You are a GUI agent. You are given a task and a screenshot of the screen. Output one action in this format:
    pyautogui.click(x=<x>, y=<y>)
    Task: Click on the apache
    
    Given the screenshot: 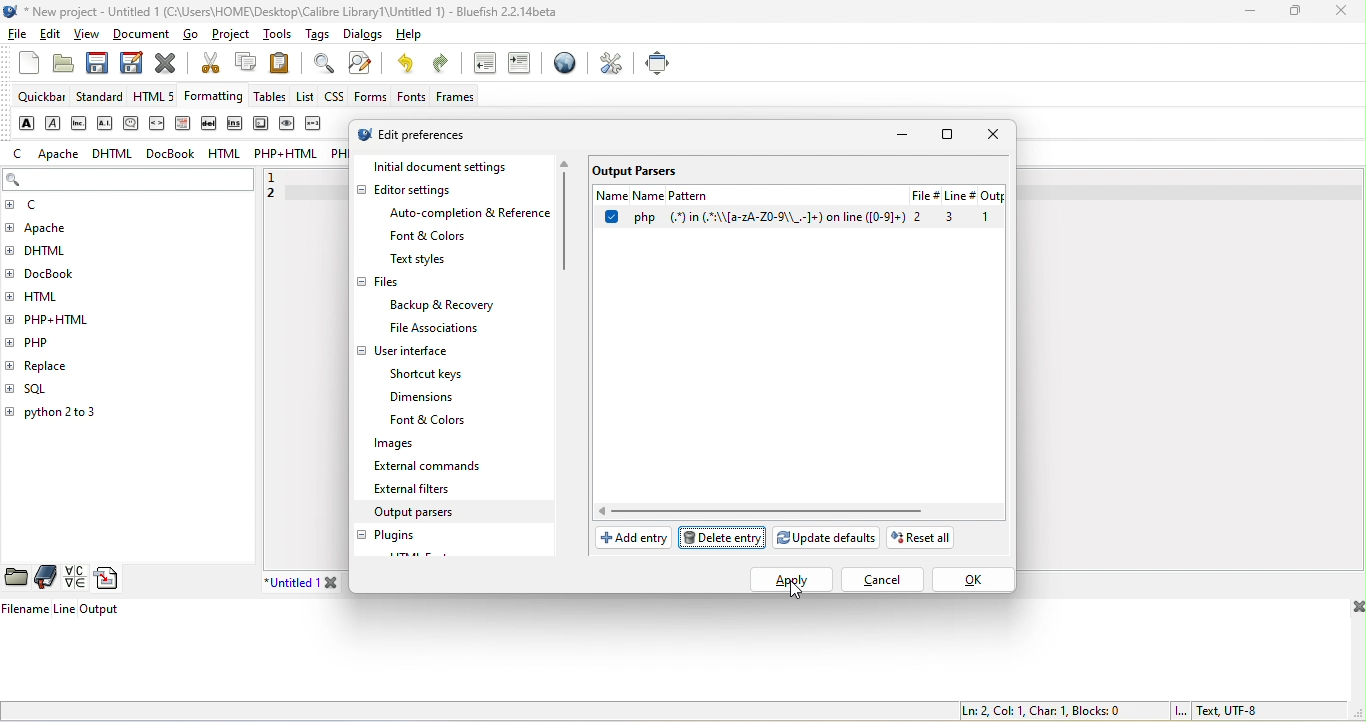 What is the action you would take?
    pyautogui.click(x=62, y=228)
    